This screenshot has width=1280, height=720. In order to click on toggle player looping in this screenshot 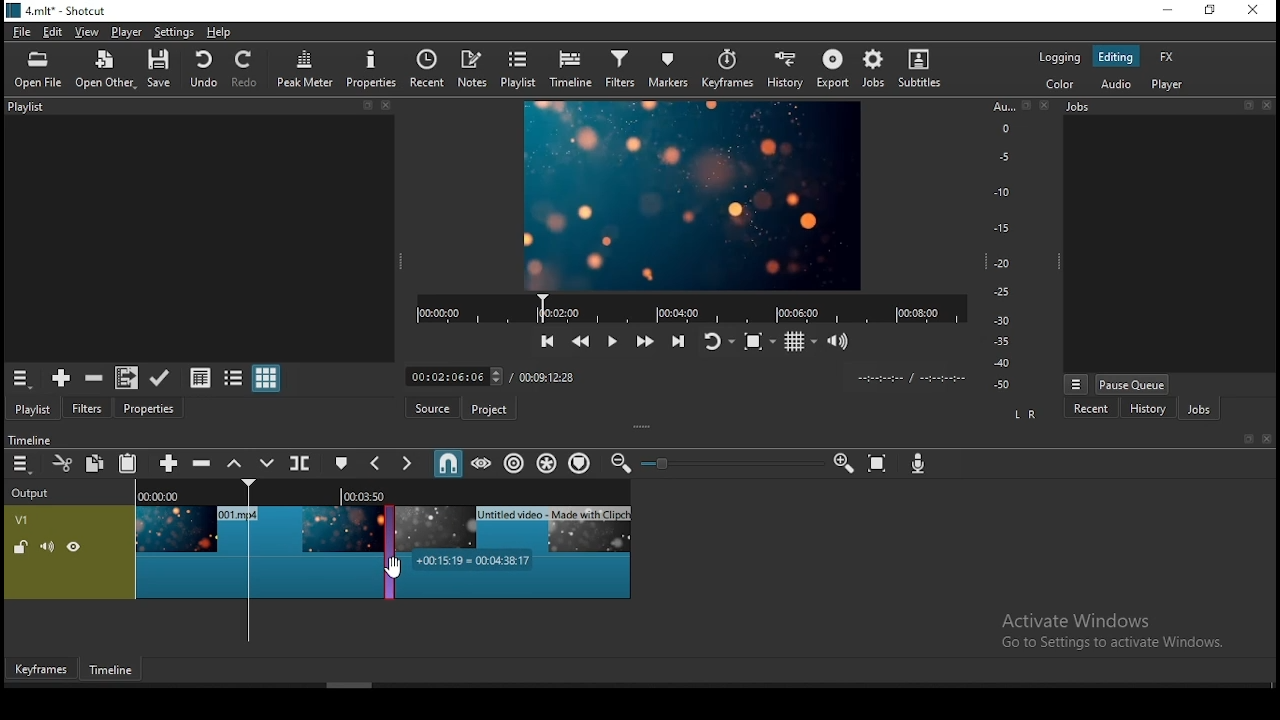, I will do `click(717, 341)`.